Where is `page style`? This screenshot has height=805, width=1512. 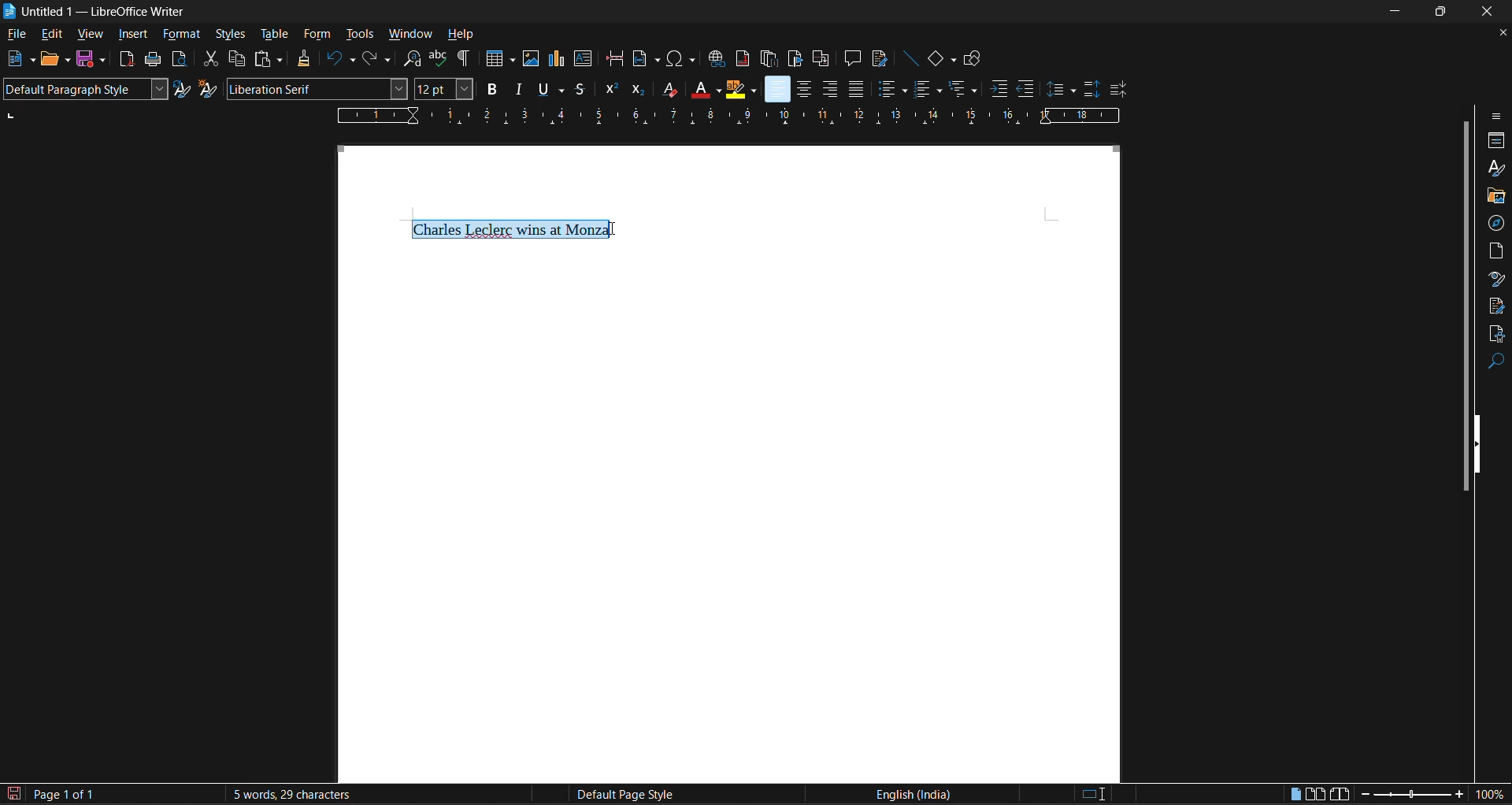 page style is located at coordinates (621, 795).